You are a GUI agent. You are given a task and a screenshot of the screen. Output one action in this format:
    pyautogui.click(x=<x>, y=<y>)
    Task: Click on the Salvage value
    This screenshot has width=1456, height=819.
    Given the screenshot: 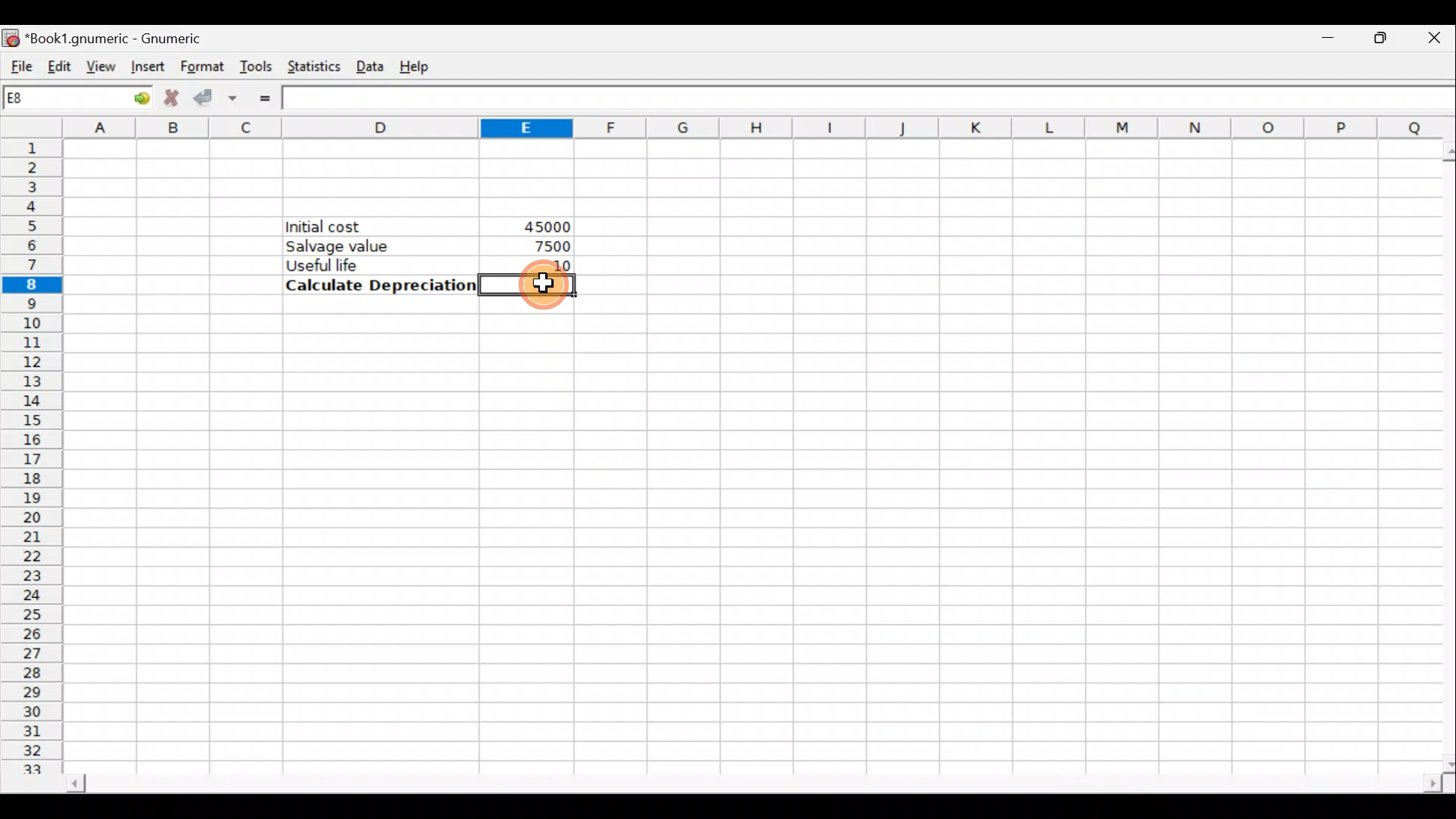 What is the action you would take?
    pyautogui.click(x=369, y=246)
    